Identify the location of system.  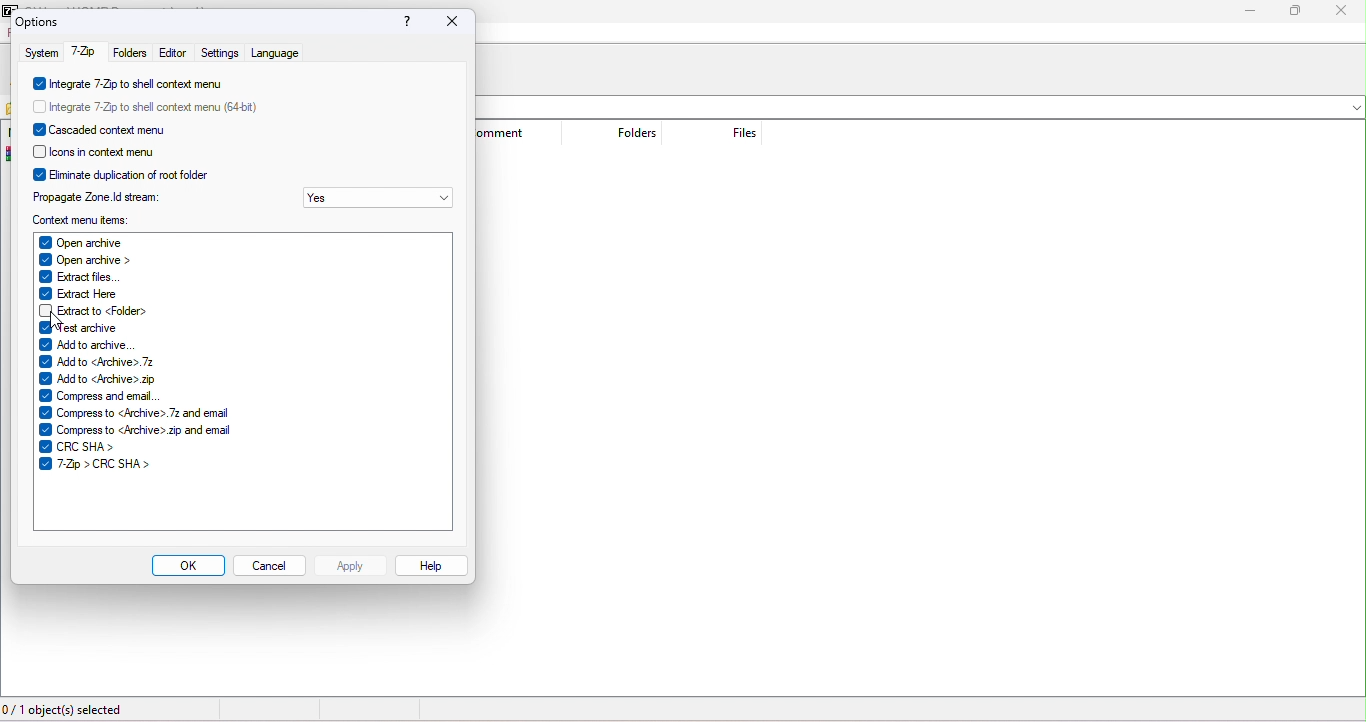
(38, 52).